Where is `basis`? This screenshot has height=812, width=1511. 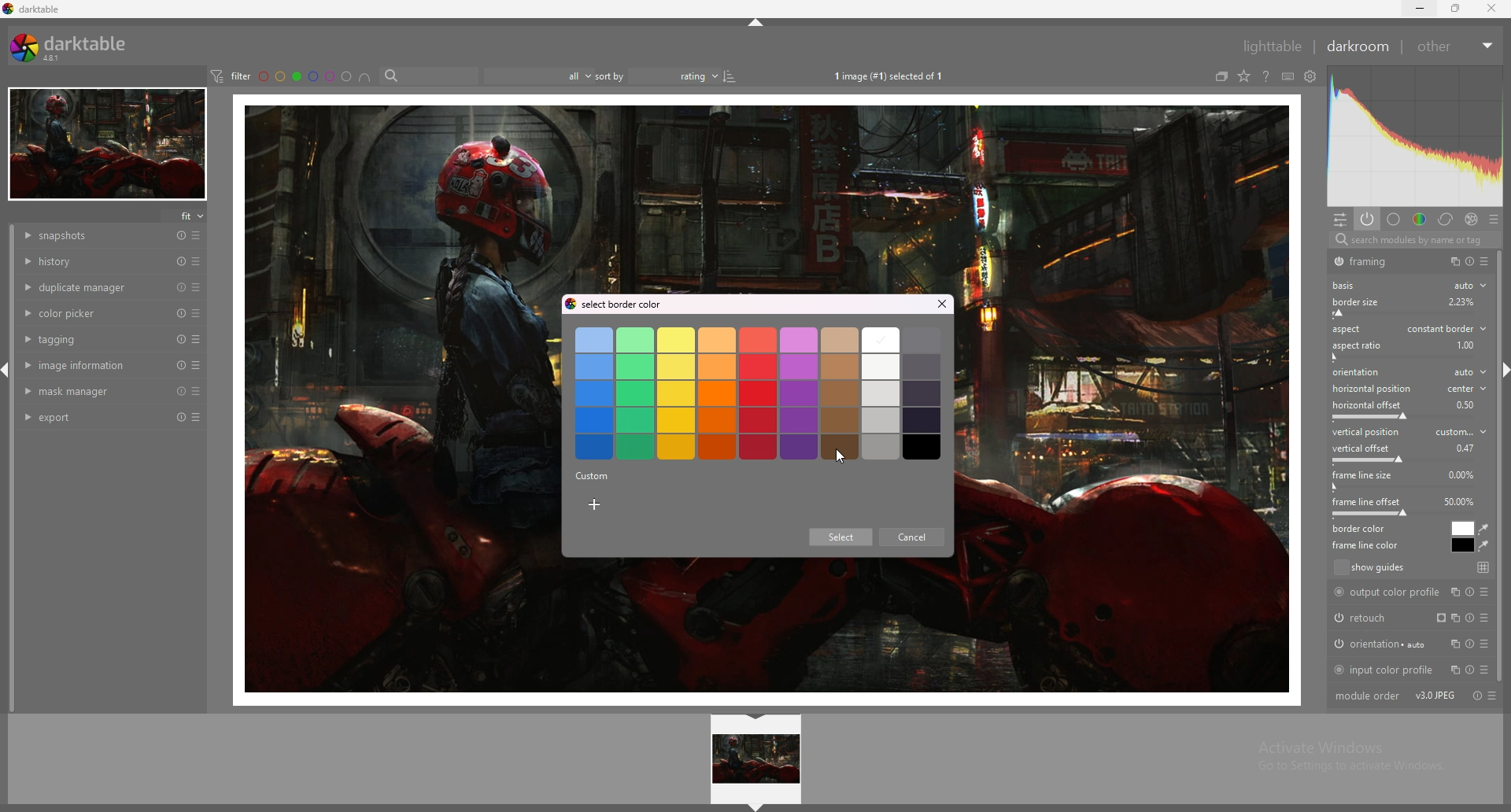
basis is located at coordinates (1349, 286).